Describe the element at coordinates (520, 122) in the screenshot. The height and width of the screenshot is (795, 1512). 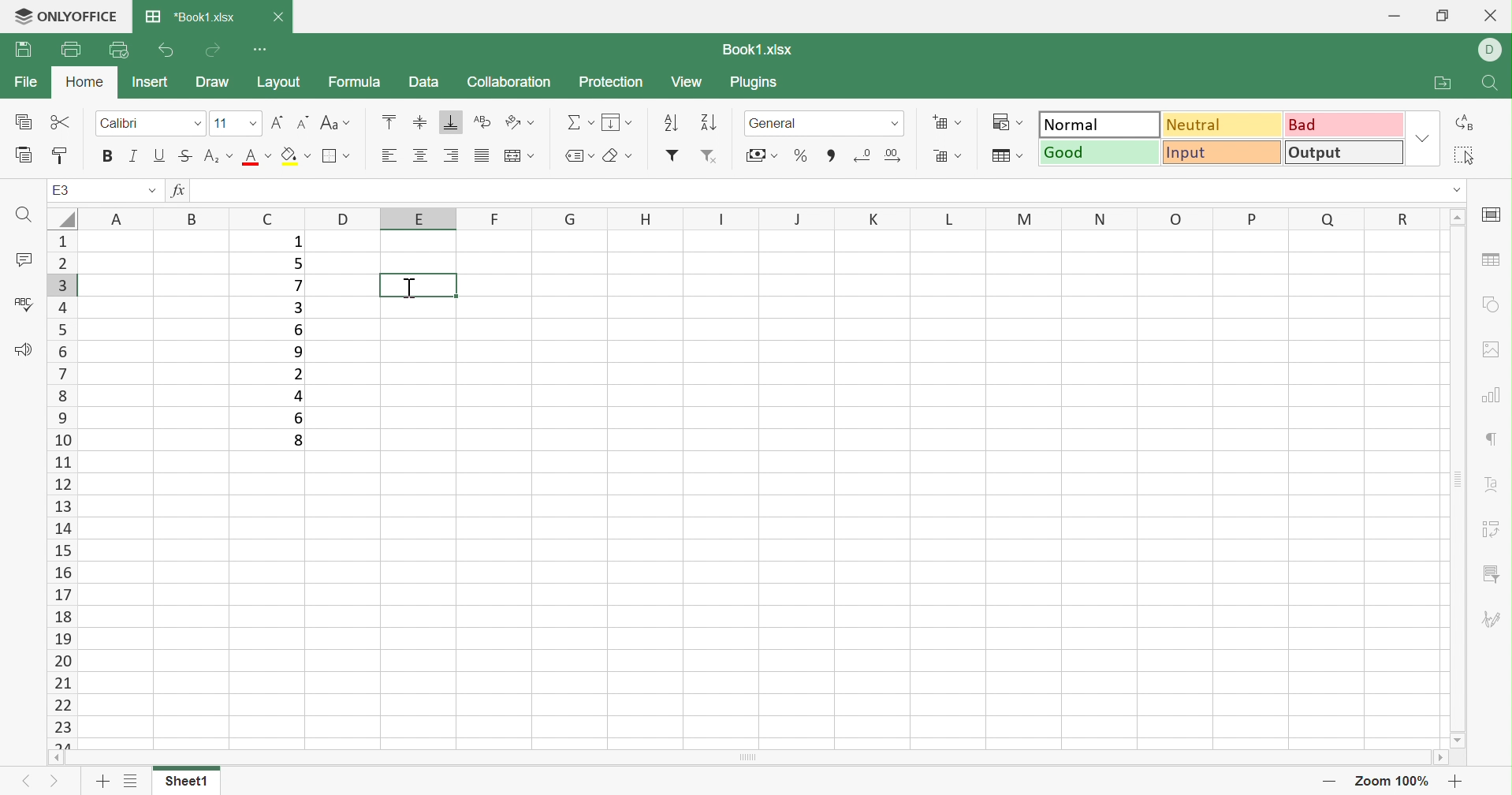
I see `Orientation` at that location.